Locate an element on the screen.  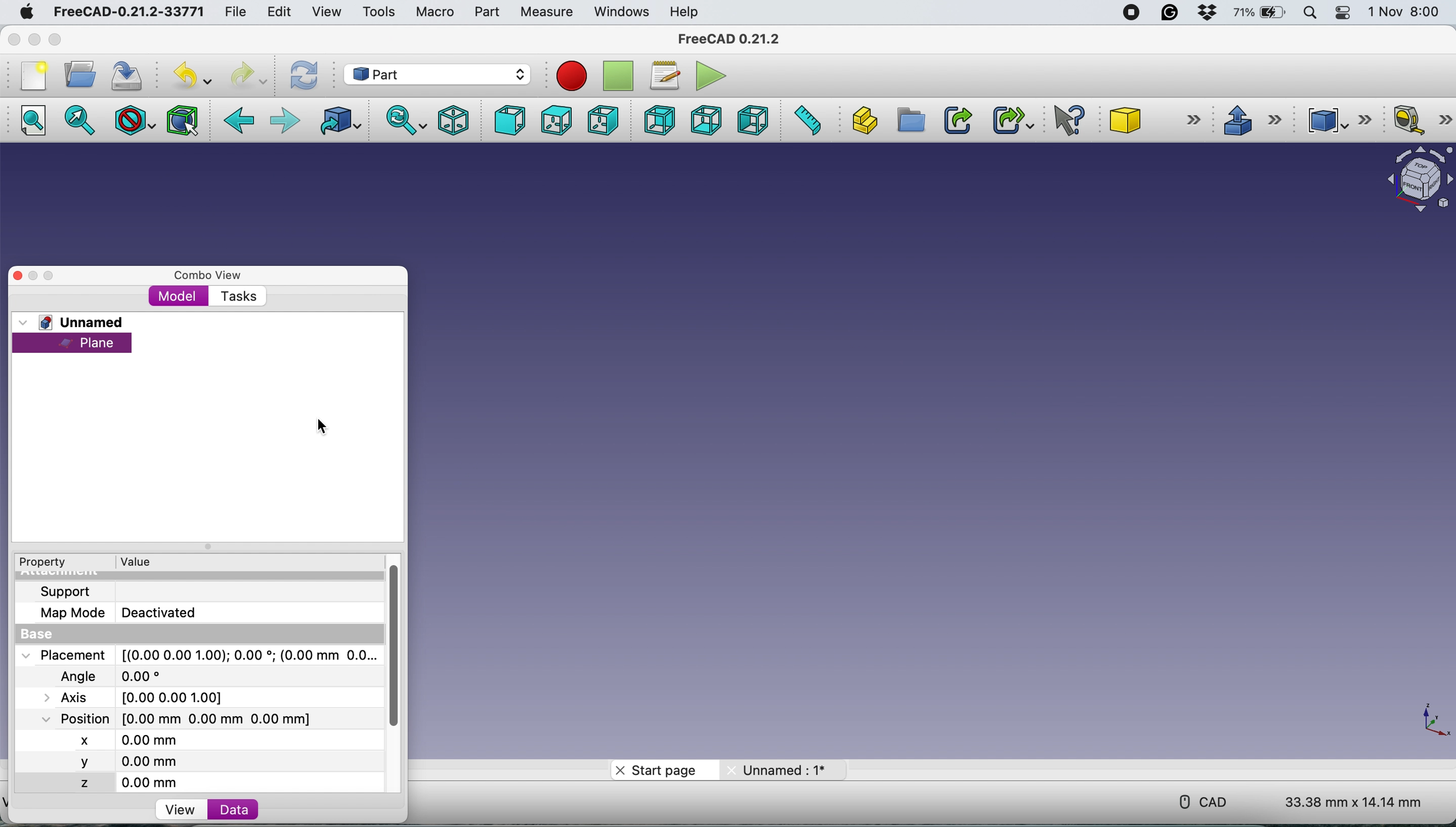
macros is located at coordinates (664, 76).